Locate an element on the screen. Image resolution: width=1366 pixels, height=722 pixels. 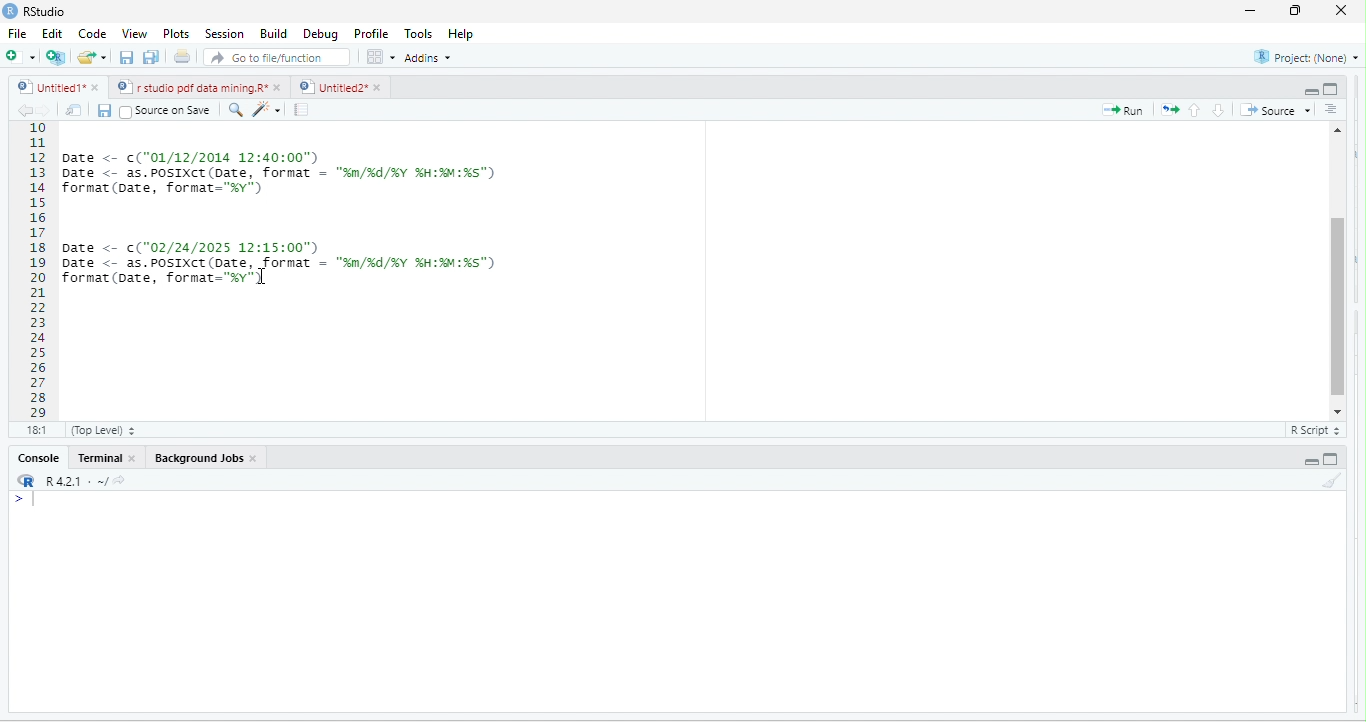
save all open documents is located at coordinates (150, 57).